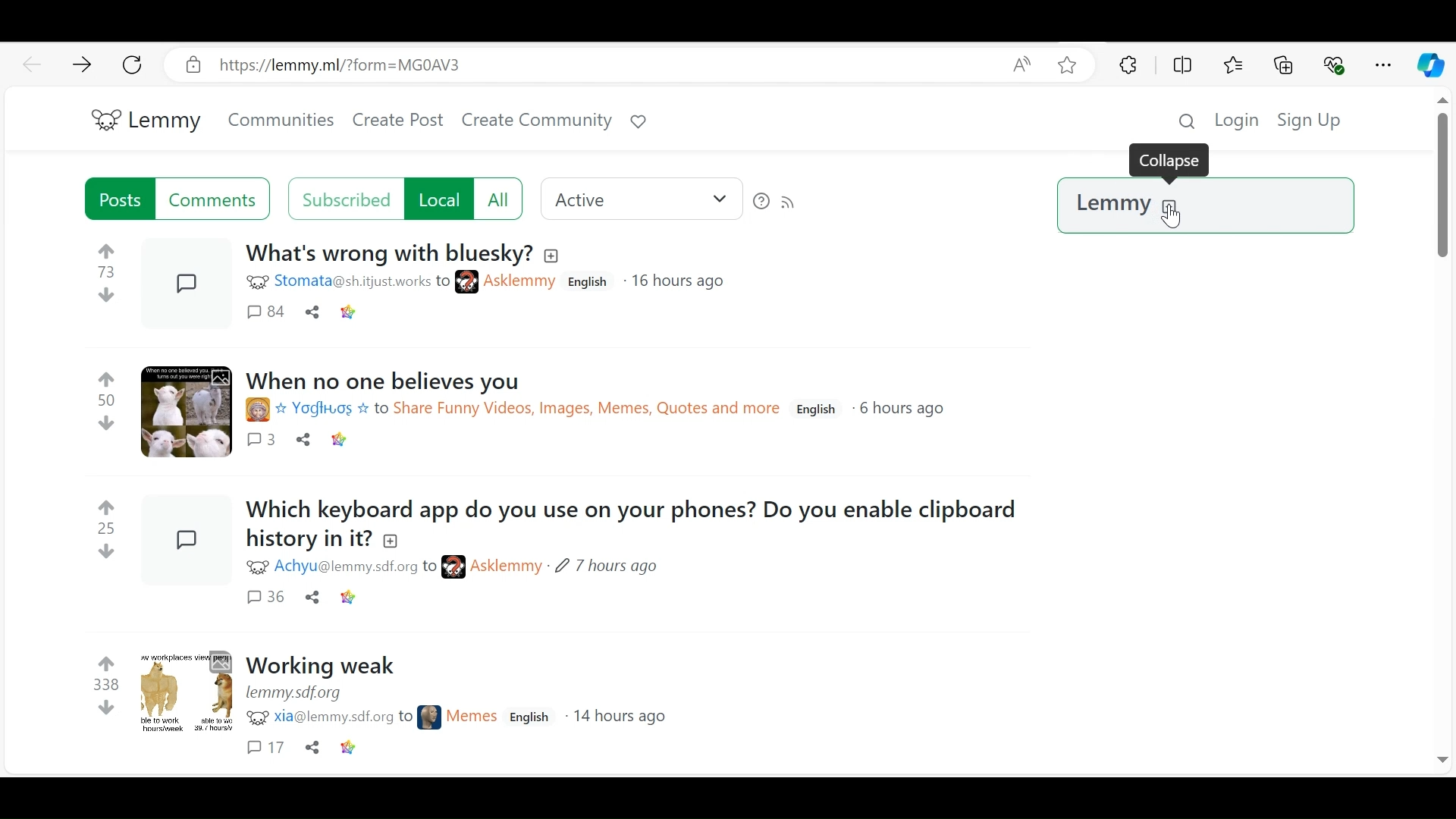 Image resolution: width=1456 pixels, height=819 pixels. Describe the element at coordinates (1068, 67) in the screenshot. I see `Add this page to Favorites` at that location.